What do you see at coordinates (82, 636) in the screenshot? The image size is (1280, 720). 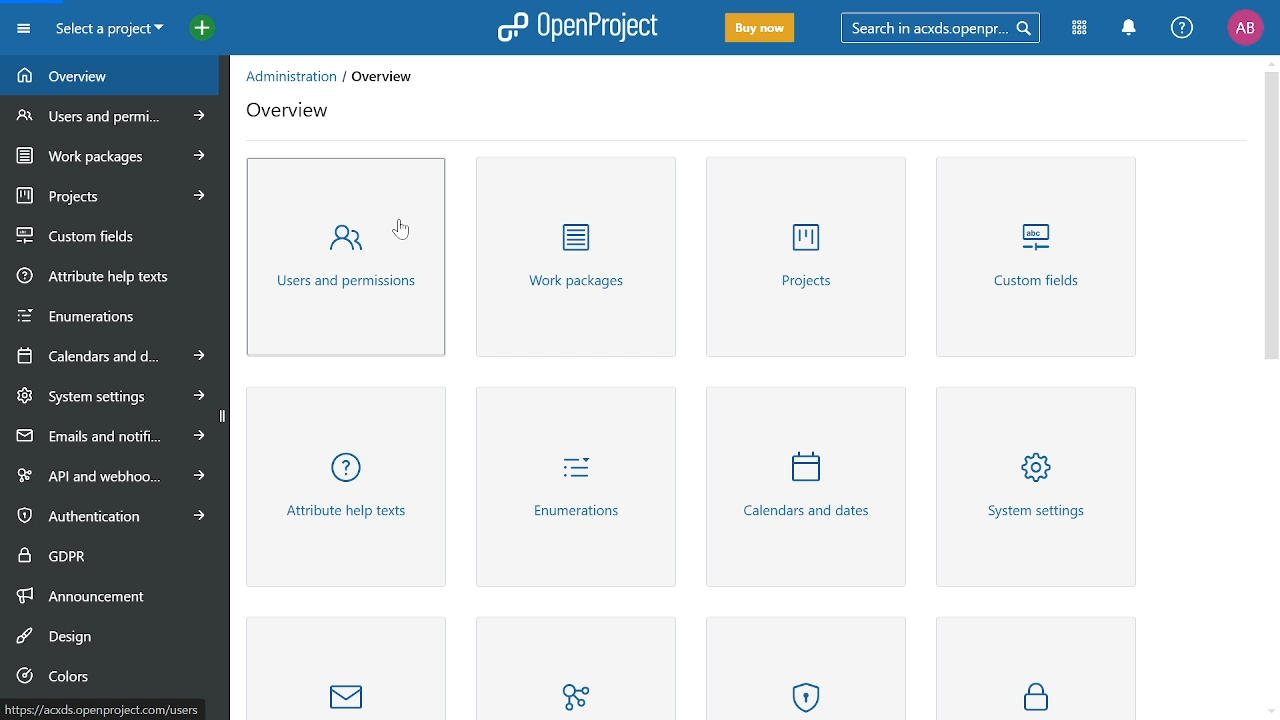 I see `Design` at bounding box center [82, 636].